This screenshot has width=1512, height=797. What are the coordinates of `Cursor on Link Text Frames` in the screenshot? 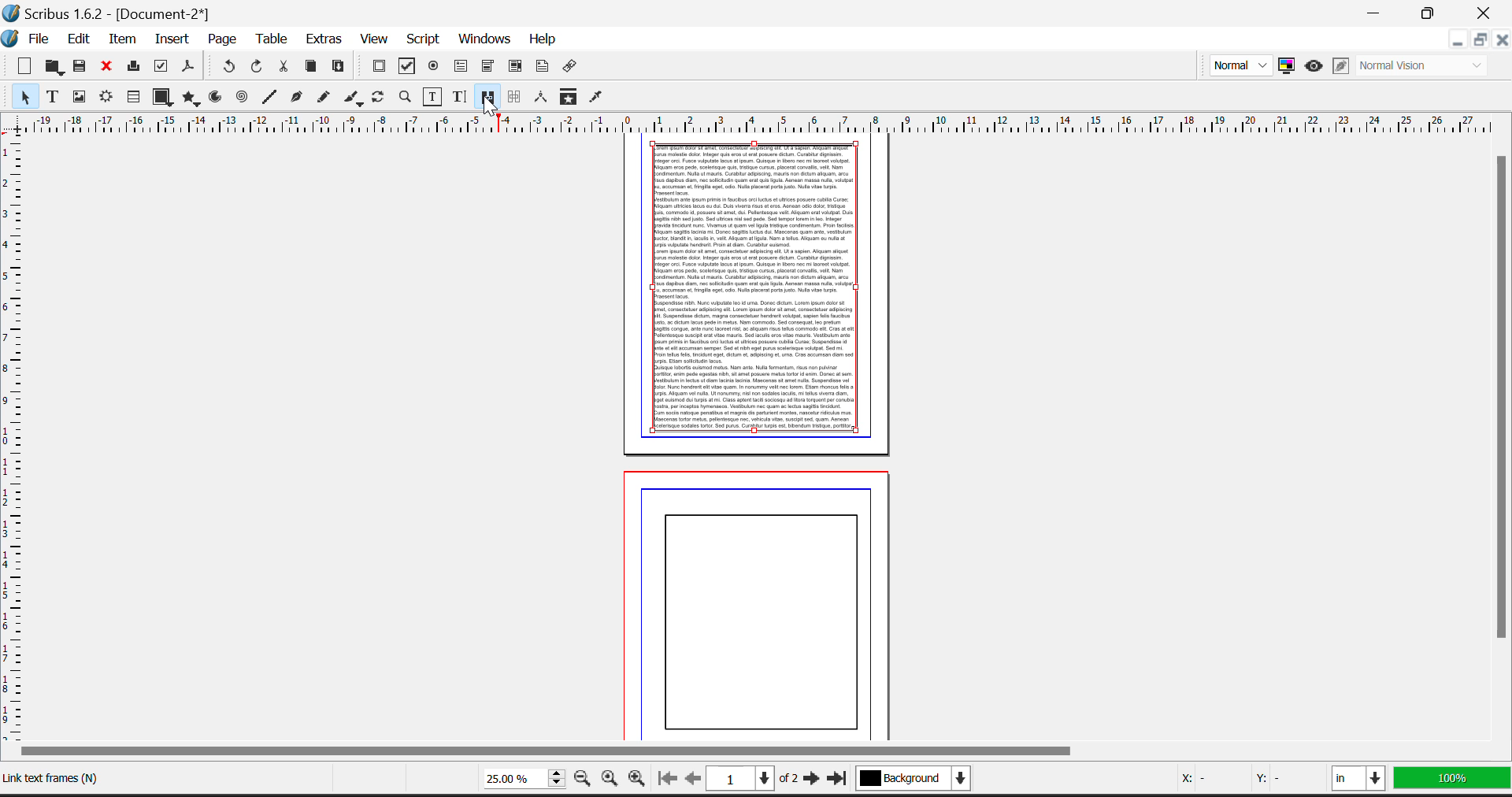 It's located at (490, 104).